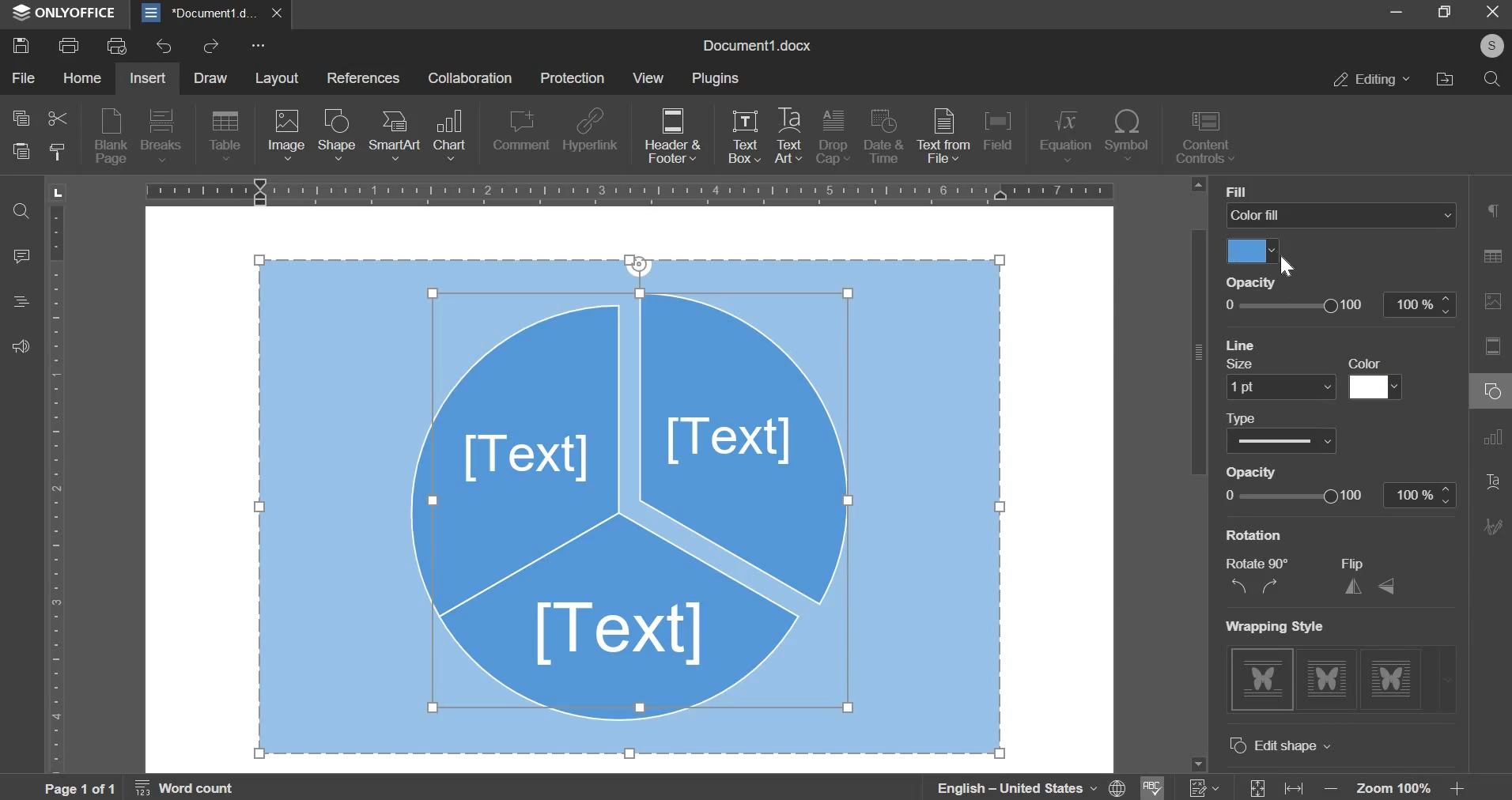 The image size is (1512, 800). What do you see at coordinates (1399, 787) in the screenshot?
I see `zoom` at bounding box center [1399, 787].